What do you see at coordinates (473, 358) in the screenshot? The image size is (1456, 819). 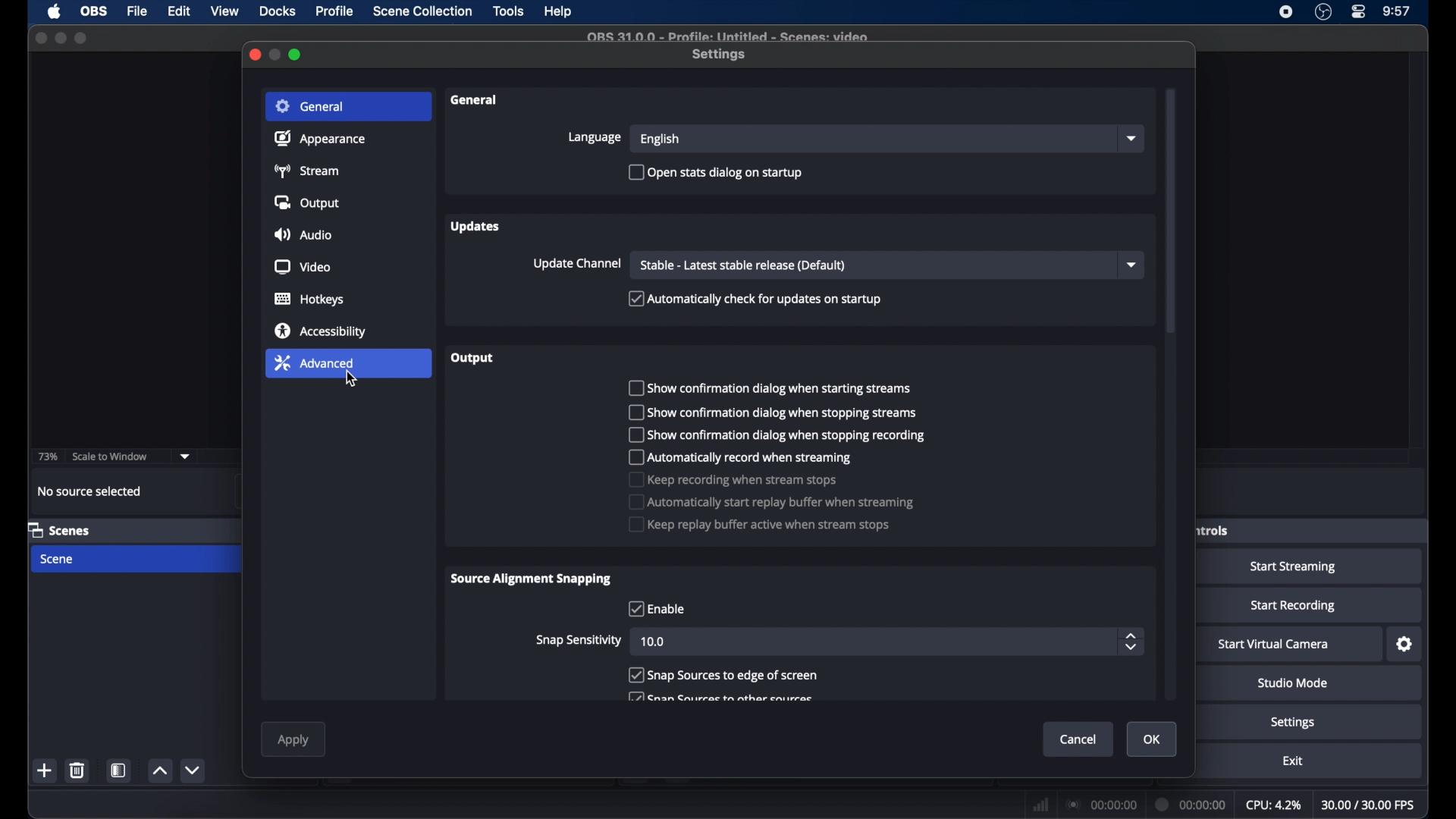 I see `output` at bounding box center [473, 358].